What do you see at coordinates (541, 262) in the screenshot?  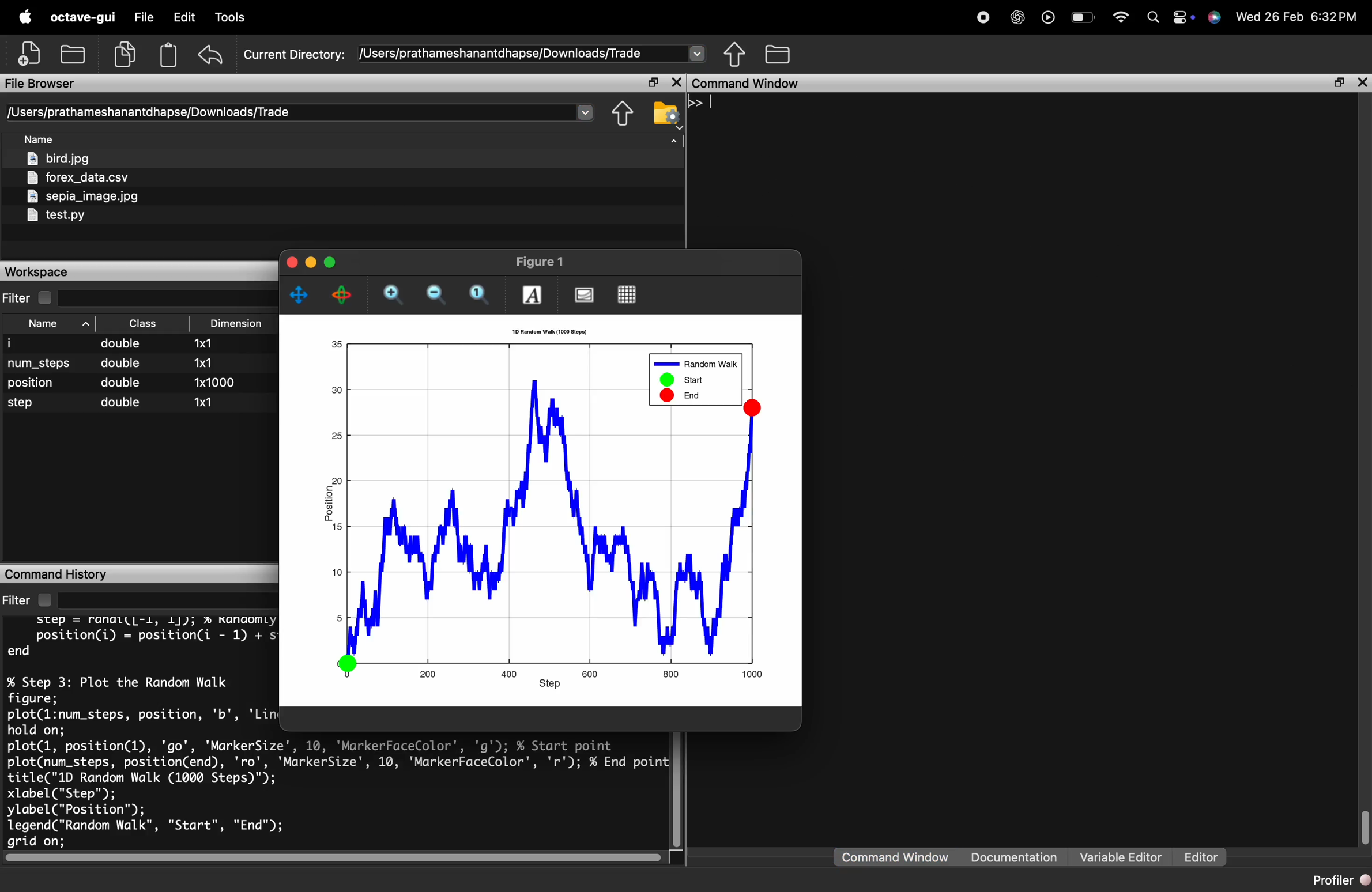 I see `figure 1` at bounding box center [541, 262].